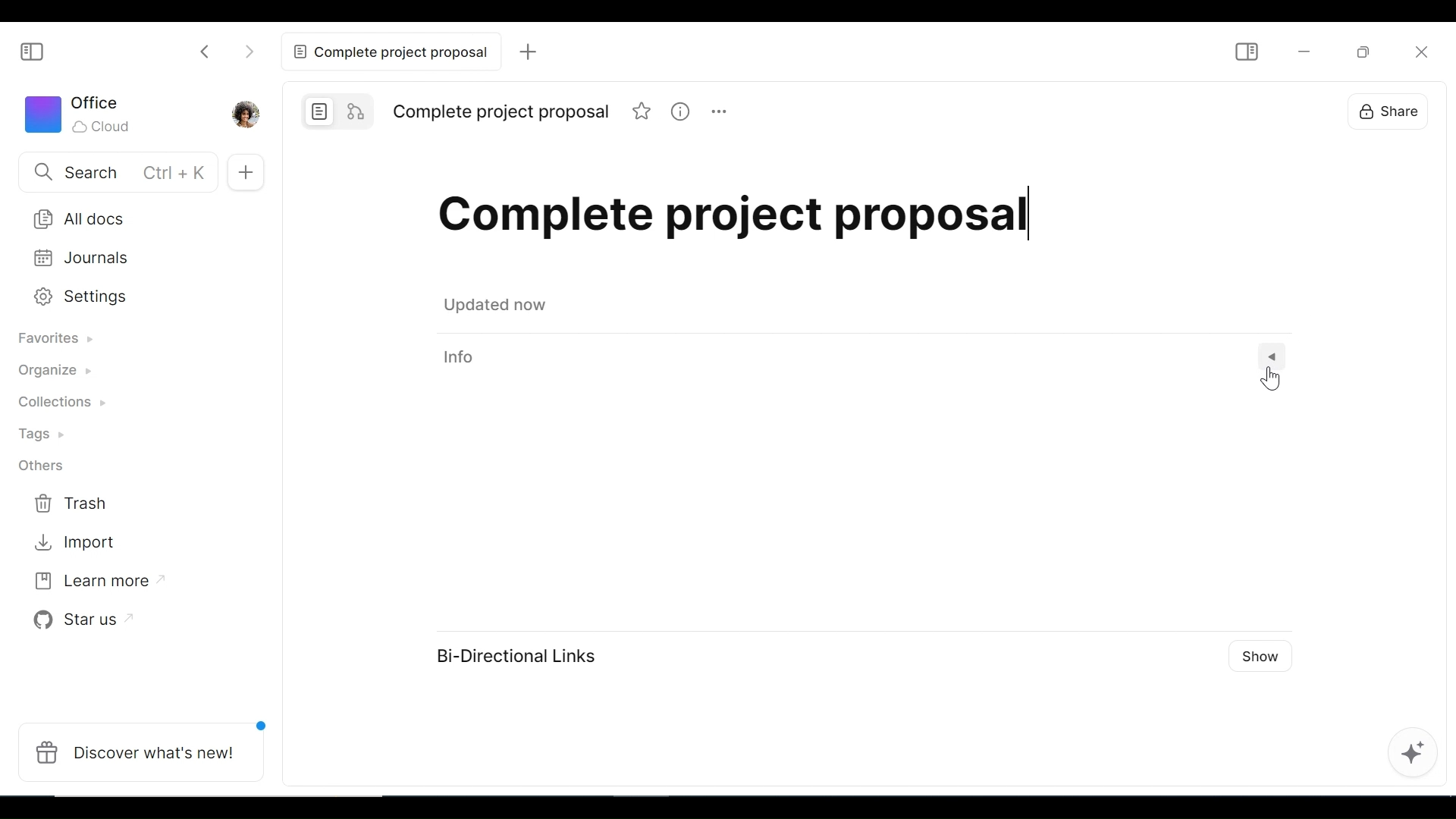 The width and height of the screenshot is (1456, 819). What do you see at coordinates (722, 114) in the screenshot?
I see `more` at bounding box center [722, 114].